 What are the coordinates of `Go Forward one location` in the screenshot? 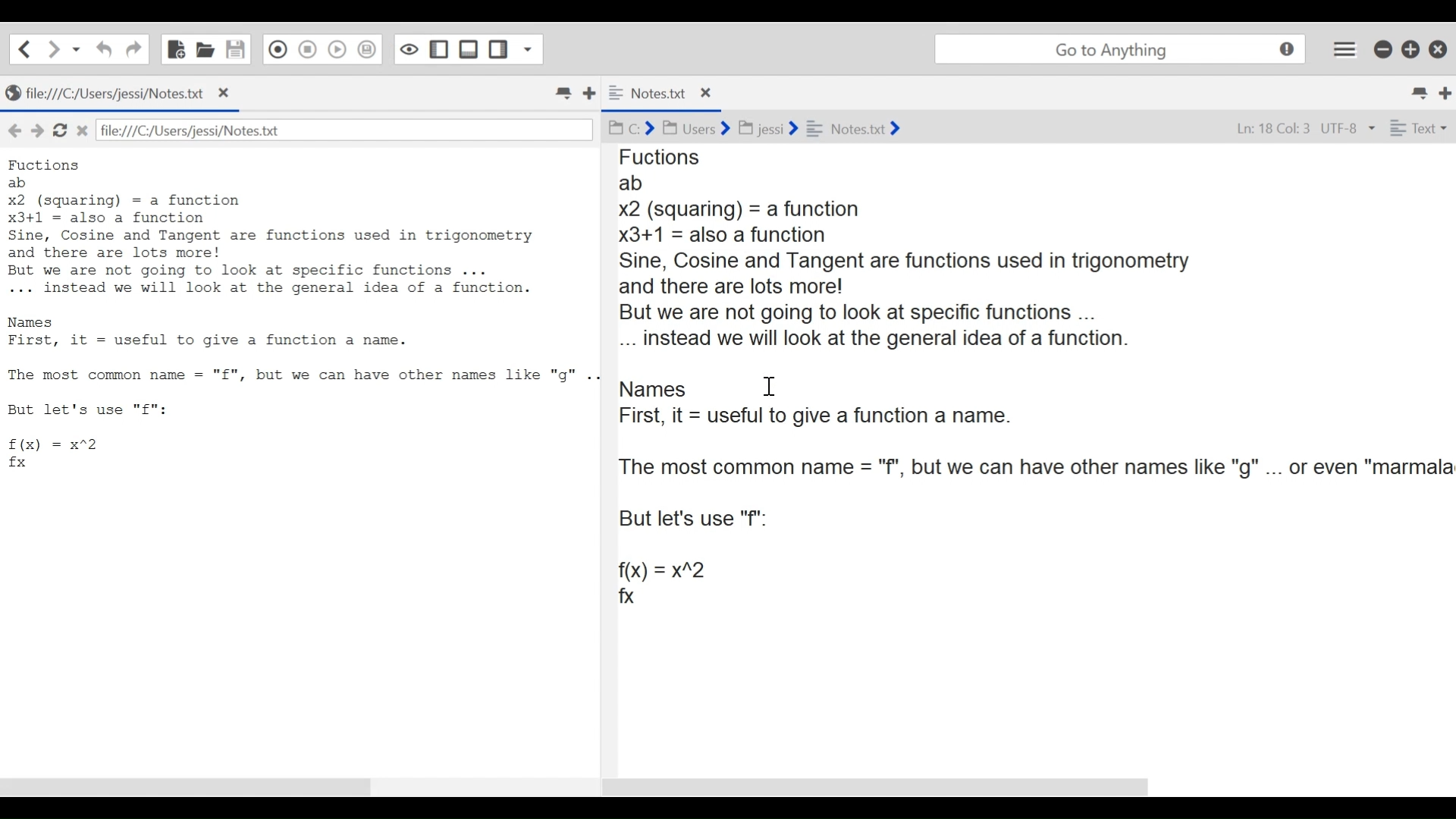 It's located at (54, 49).